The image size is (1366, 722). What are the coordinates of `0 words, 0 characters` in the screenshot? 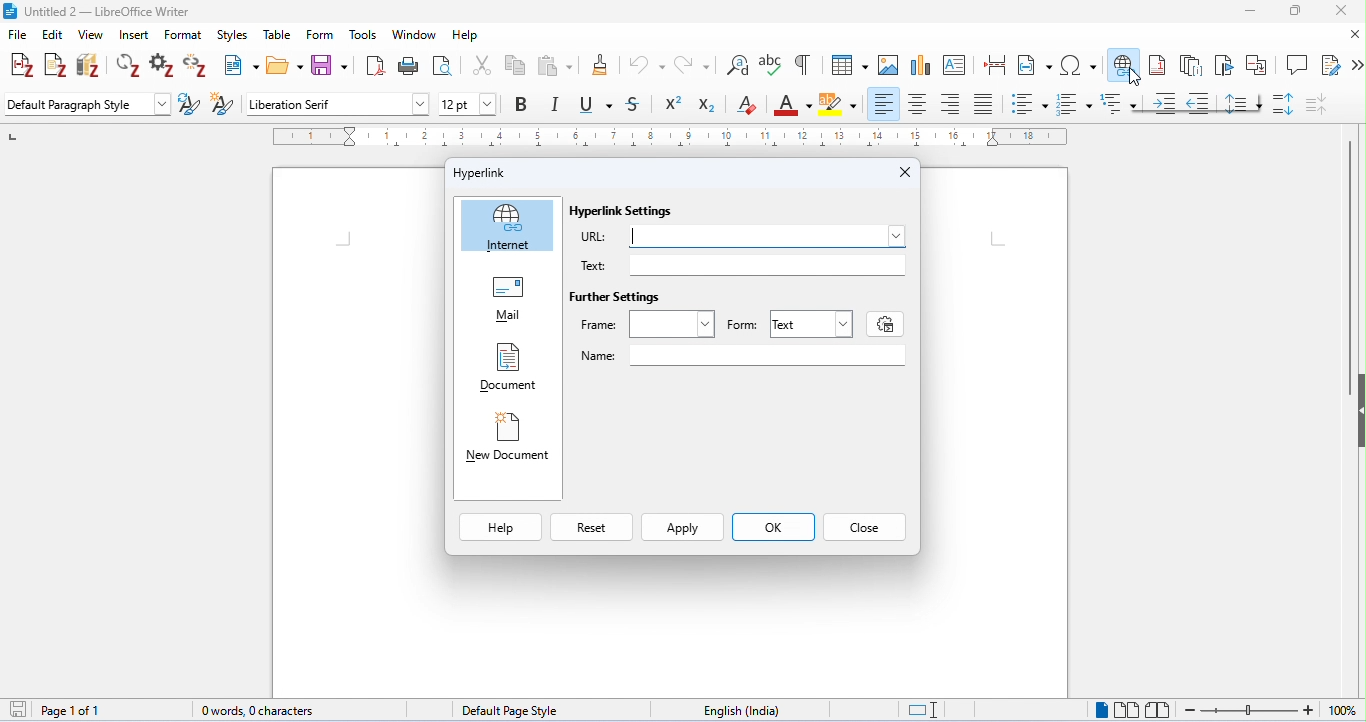 It's located at (260, 711).